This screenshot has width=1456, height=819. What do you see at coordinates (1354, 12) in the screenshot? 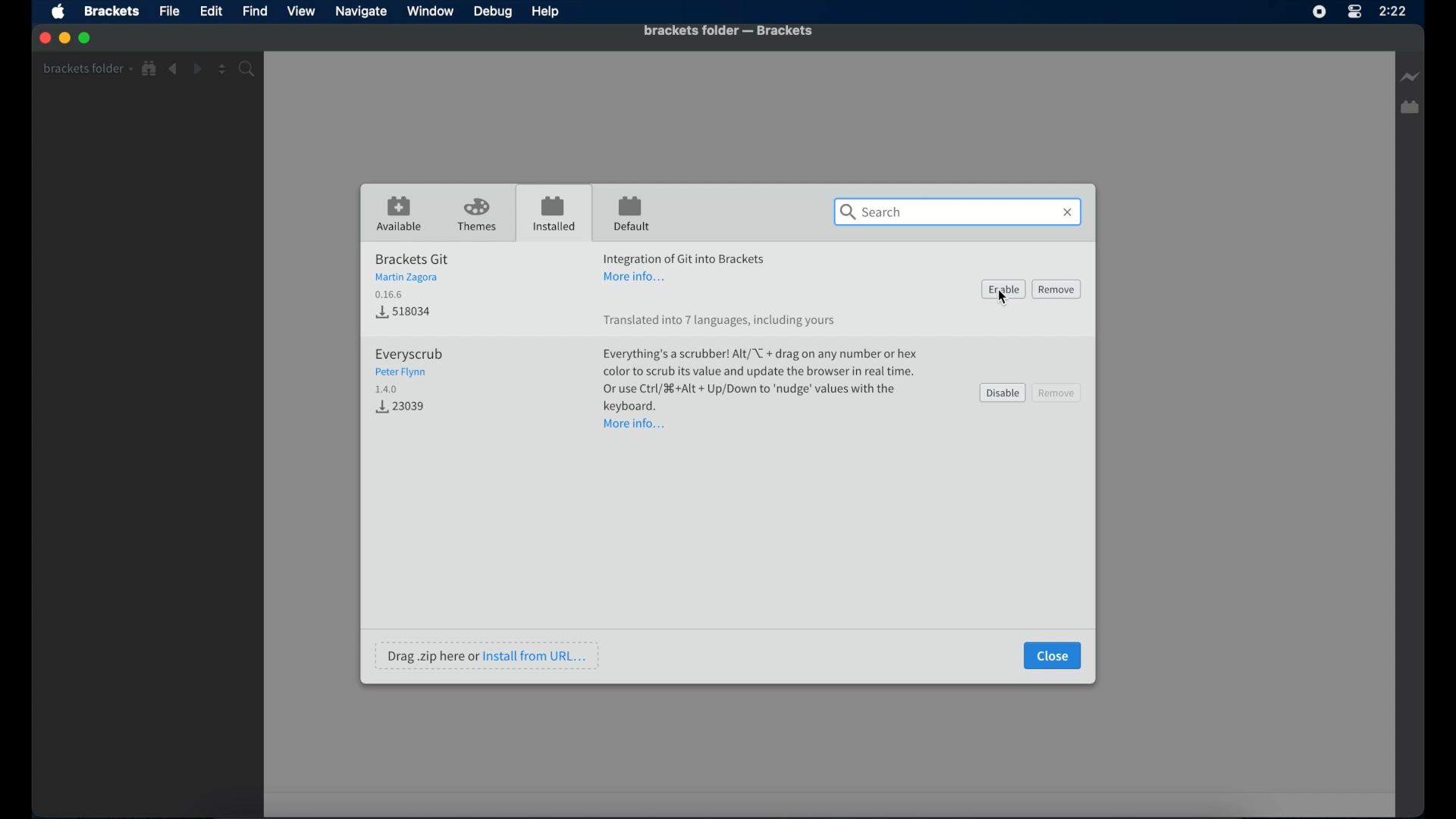
I see `control center` at bounding box center [1354, 12].